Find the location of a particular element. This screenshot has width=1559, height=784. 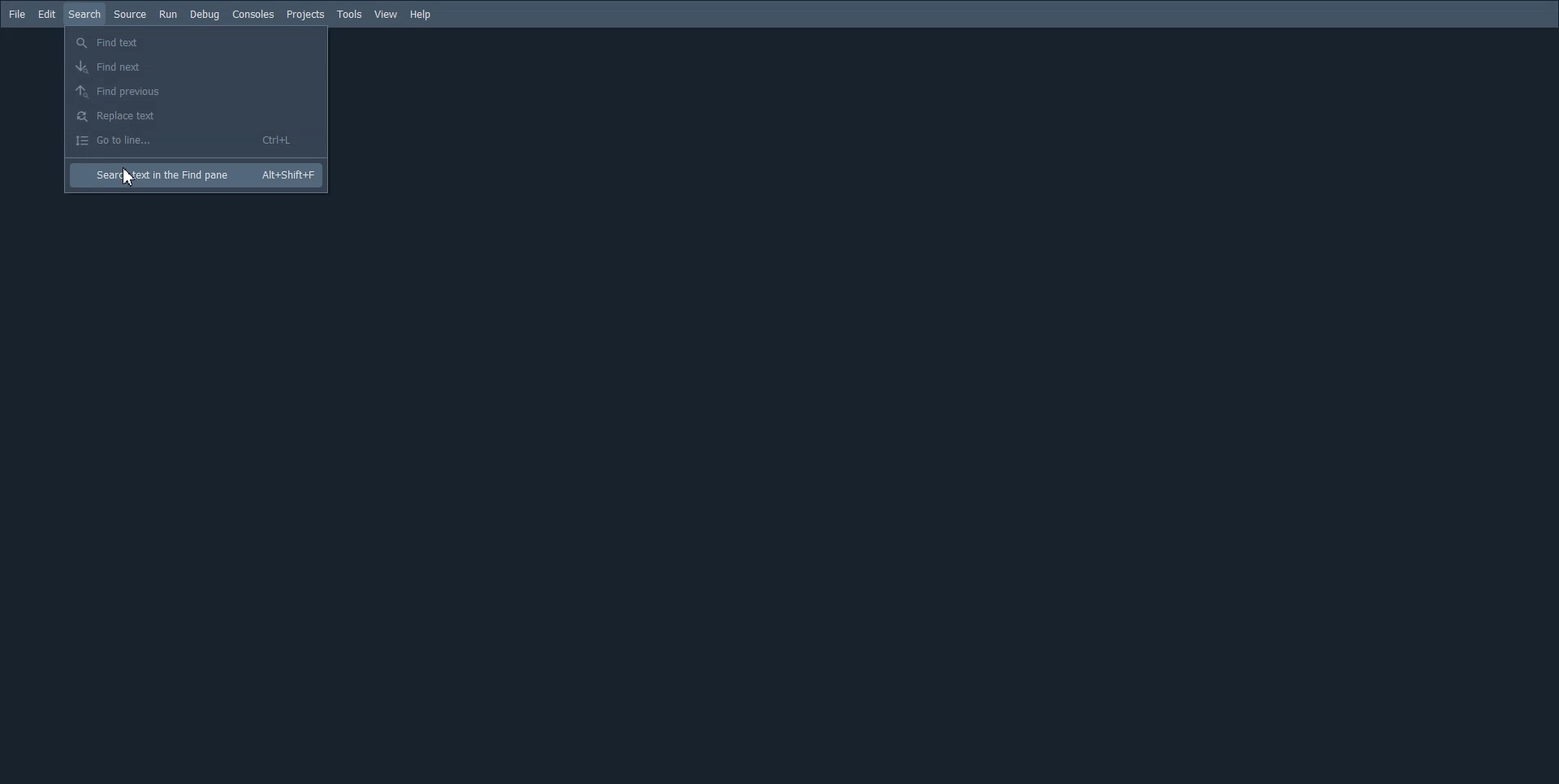

Consoles is located at coordinates (253, 14).